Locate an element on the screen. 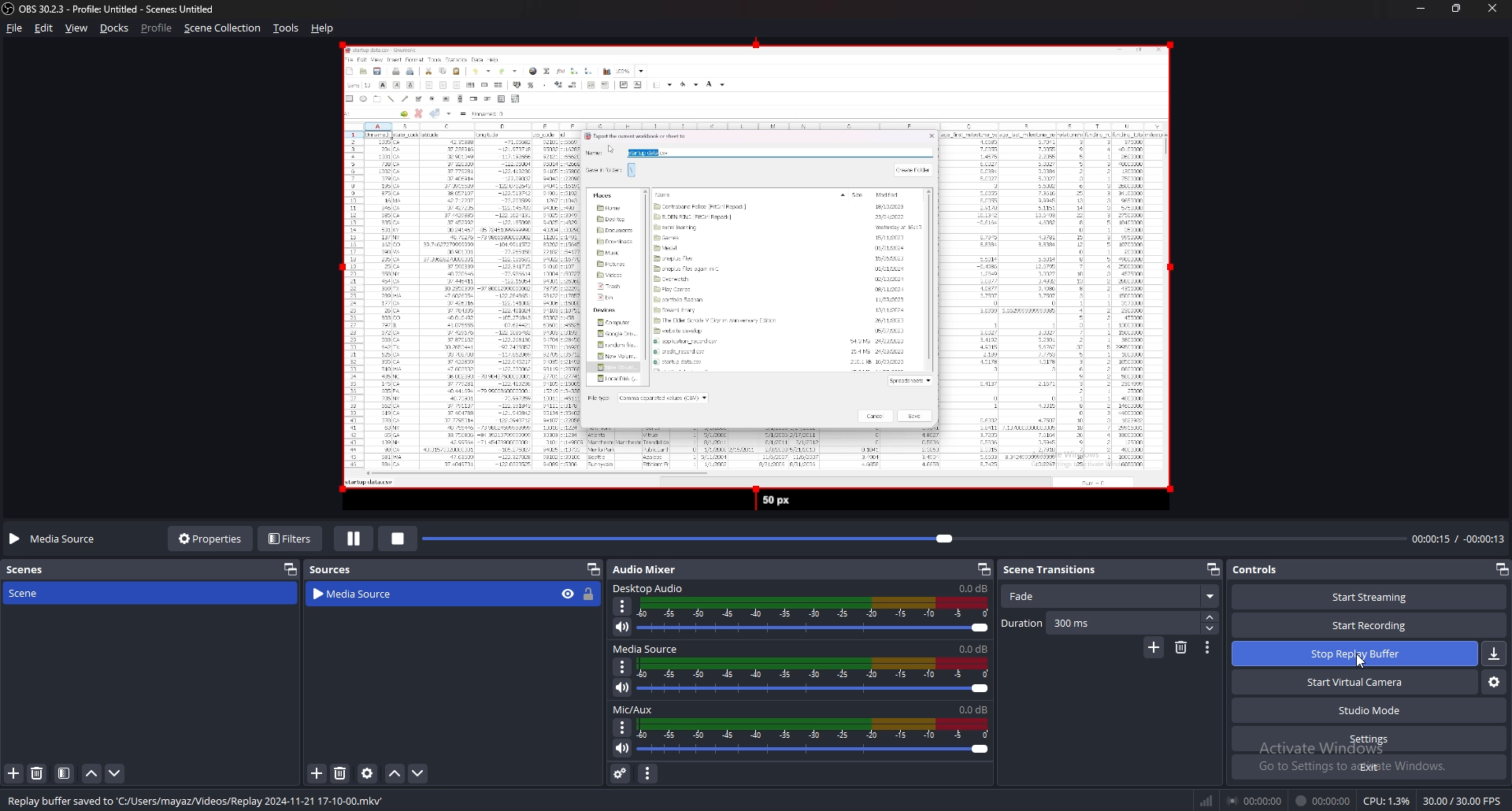  mute is located at coordinates (624, 747).